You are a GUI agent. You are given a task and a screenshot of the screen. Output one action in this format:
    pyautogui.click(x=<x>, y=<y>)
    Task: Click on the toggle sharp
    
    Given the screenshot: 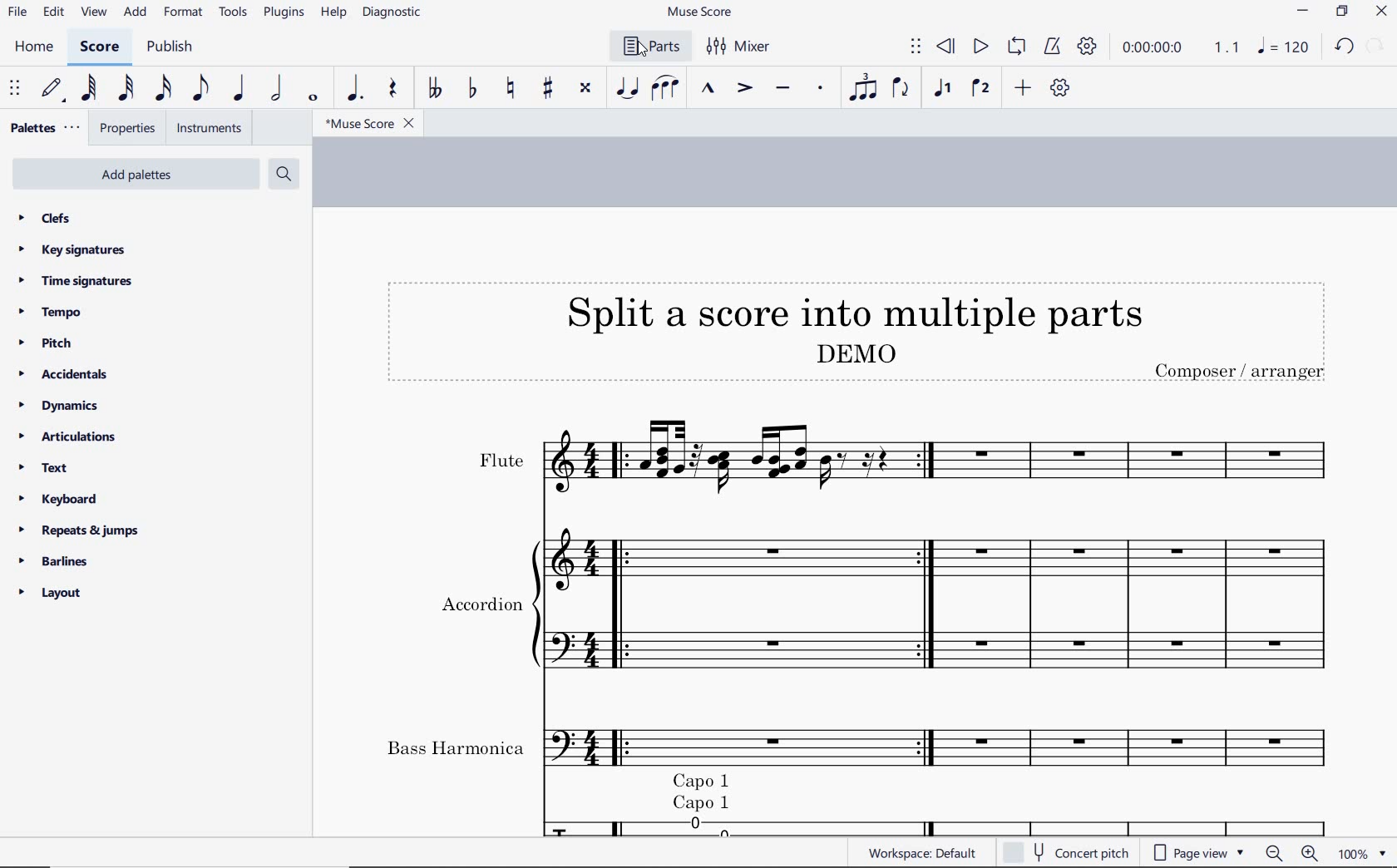 What is the action you would take?
    pyautogui.click(x=549, y=89)
    